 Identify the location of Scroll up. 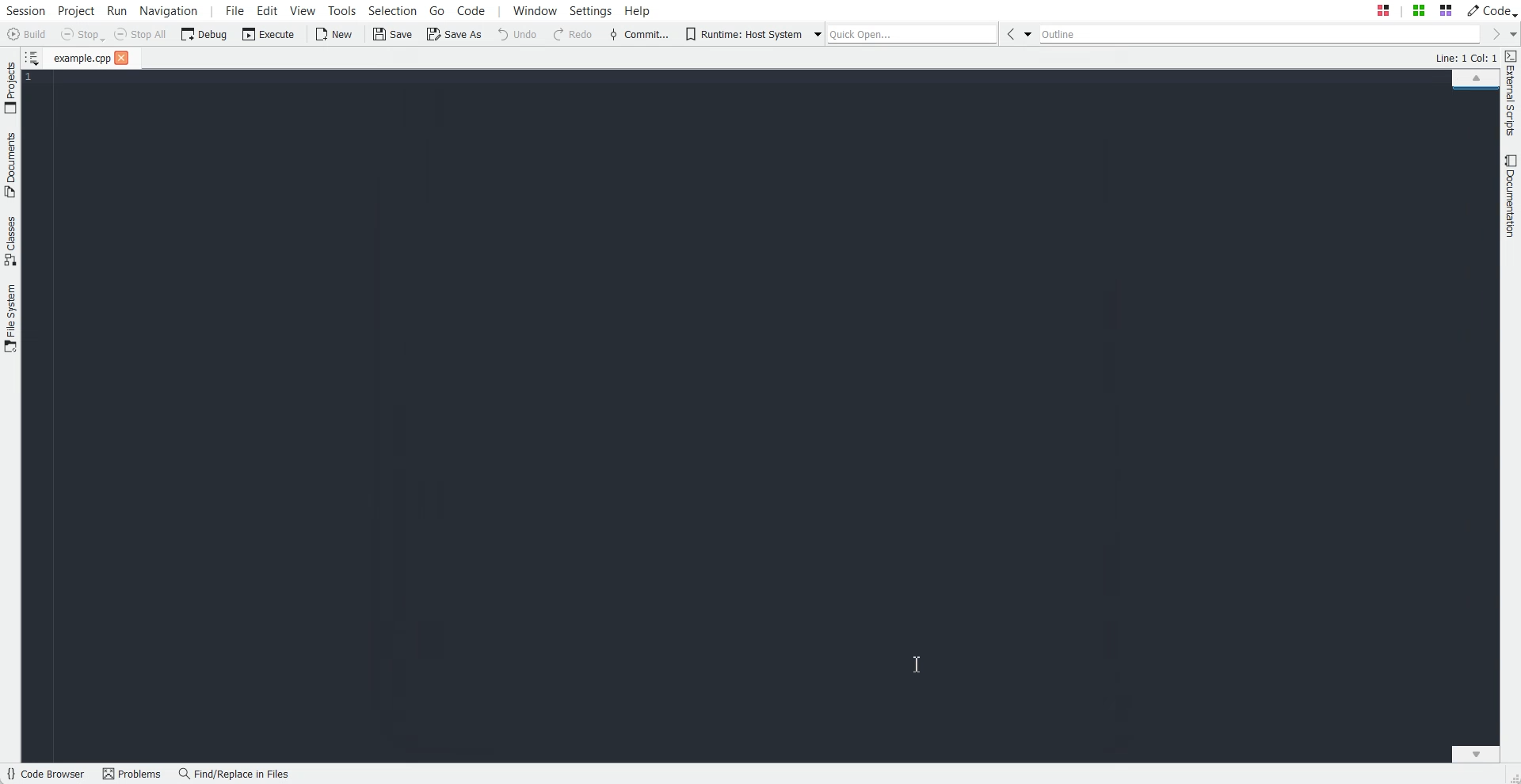
(1491, 78).